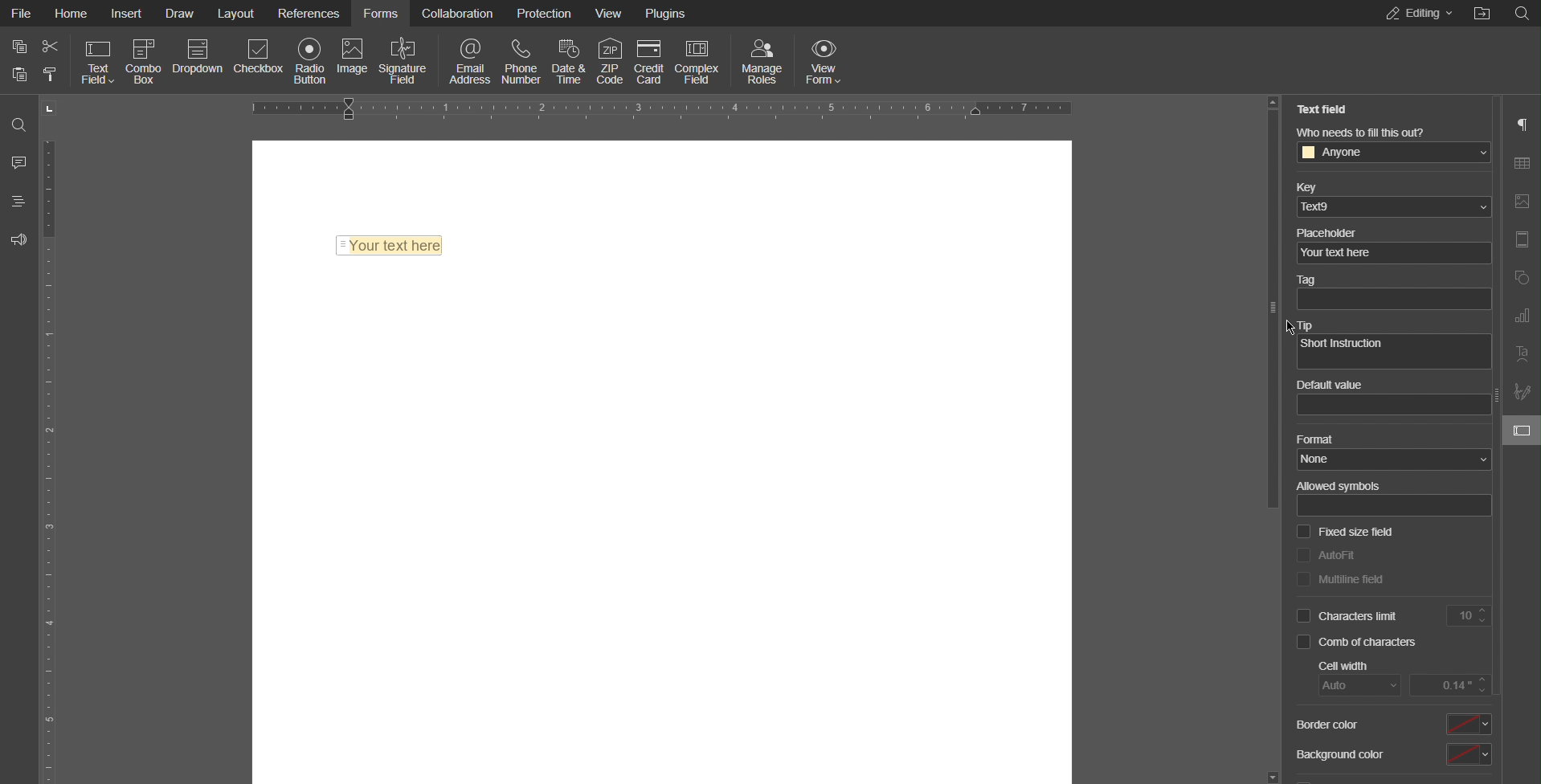 The width and height of the screenshot is (1541, 784). I want to click on Border Color, so click(1332, 726).